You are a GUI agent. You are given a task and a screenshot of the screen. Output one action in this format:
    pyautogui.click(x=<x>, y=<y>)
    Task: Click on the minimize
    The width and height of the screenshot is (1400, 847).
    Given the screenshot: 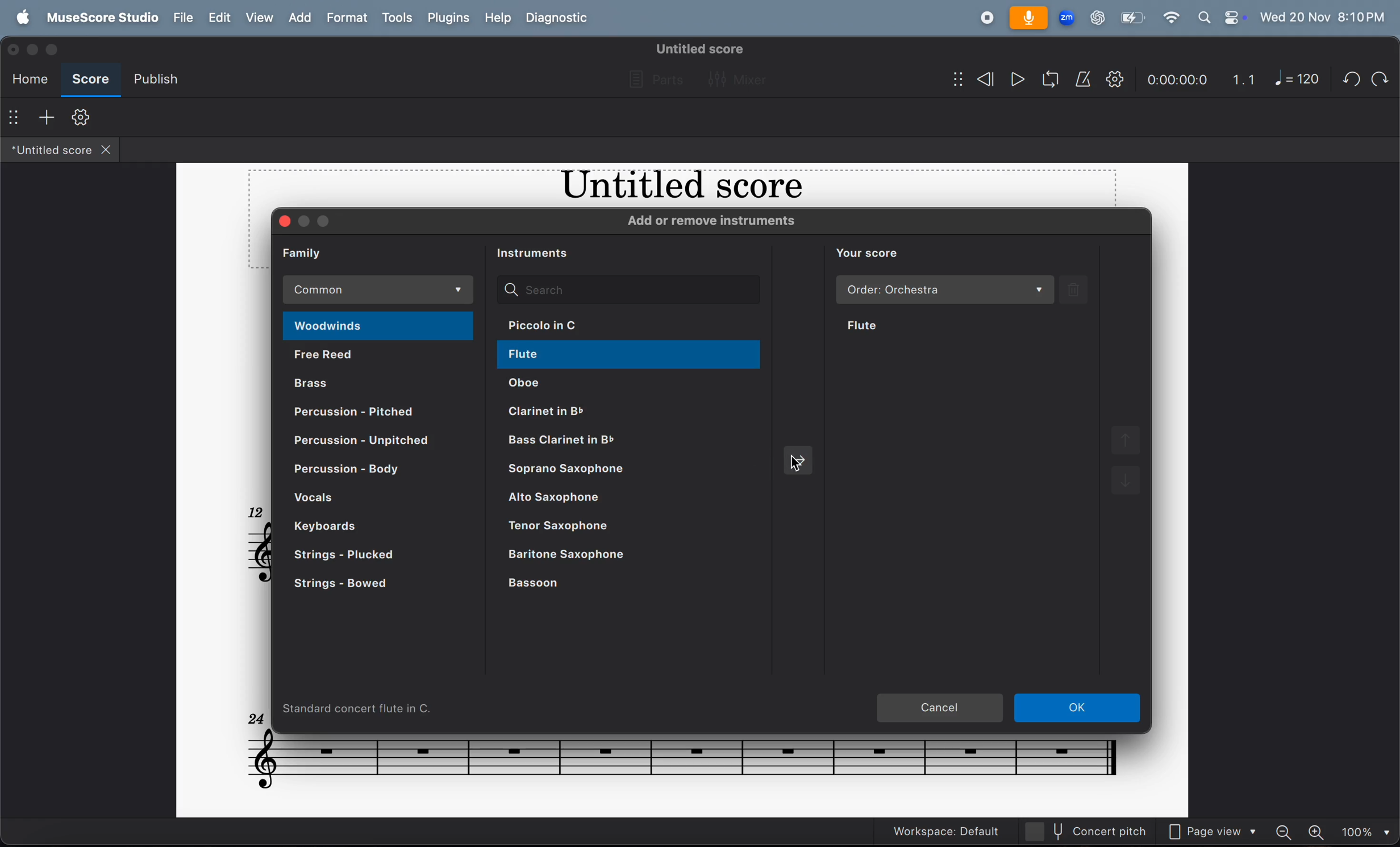 What is the action you would take?
    pyautogui.click(x=36, y=50)
    